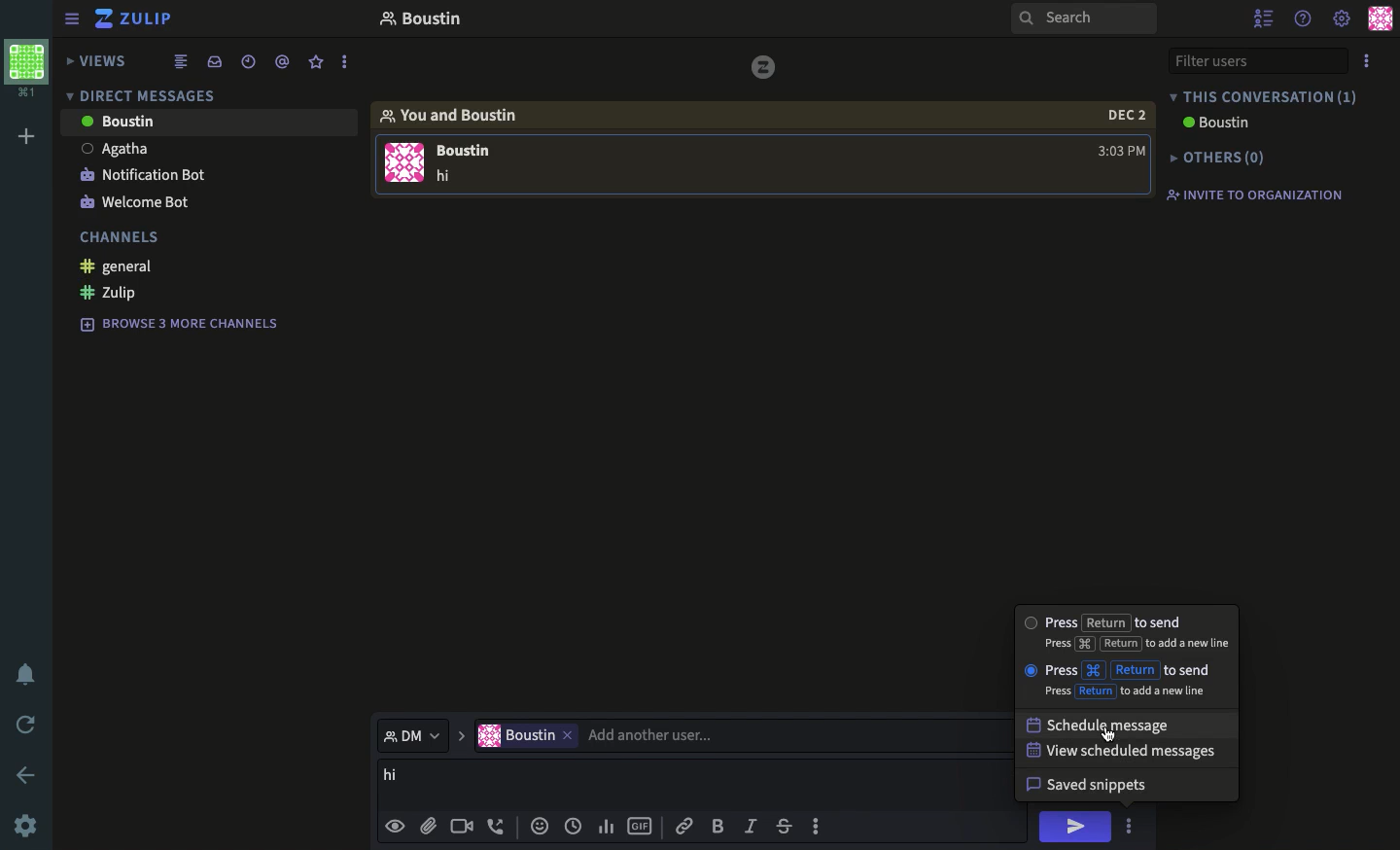 The image size is (1400, 850). I want to click on welcome bot, so click(134, 204).